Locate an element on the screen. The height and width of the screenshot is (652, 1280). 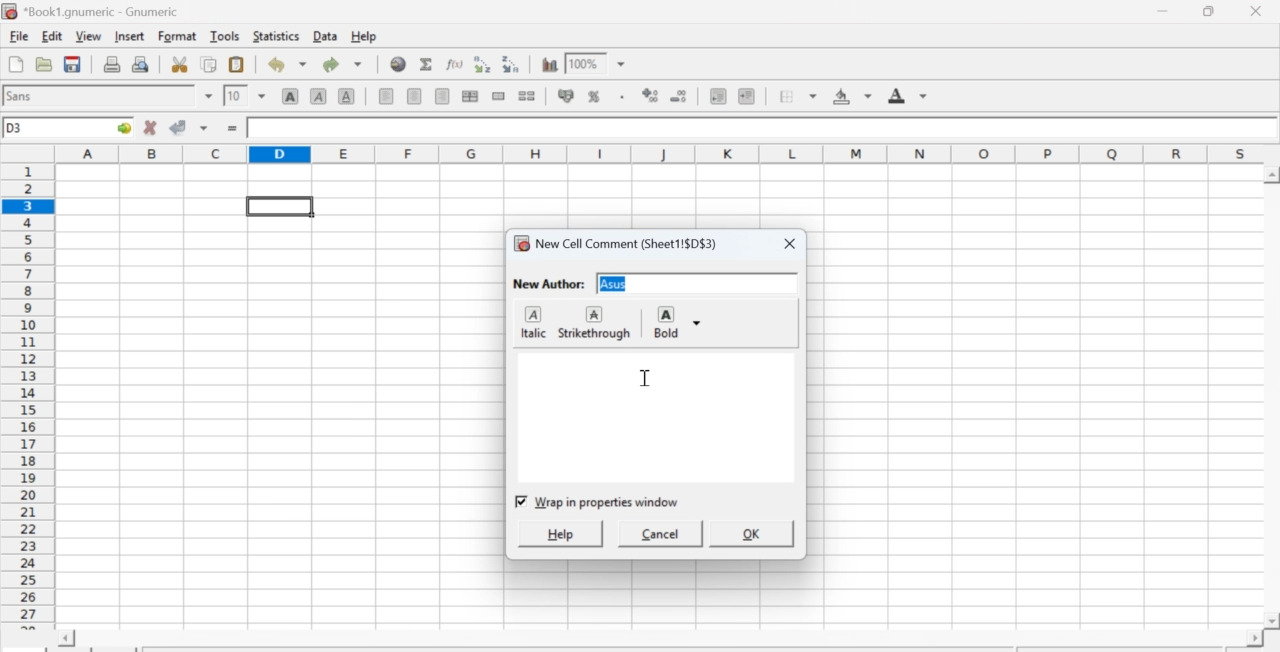
down is located at coordinates (205, 127).